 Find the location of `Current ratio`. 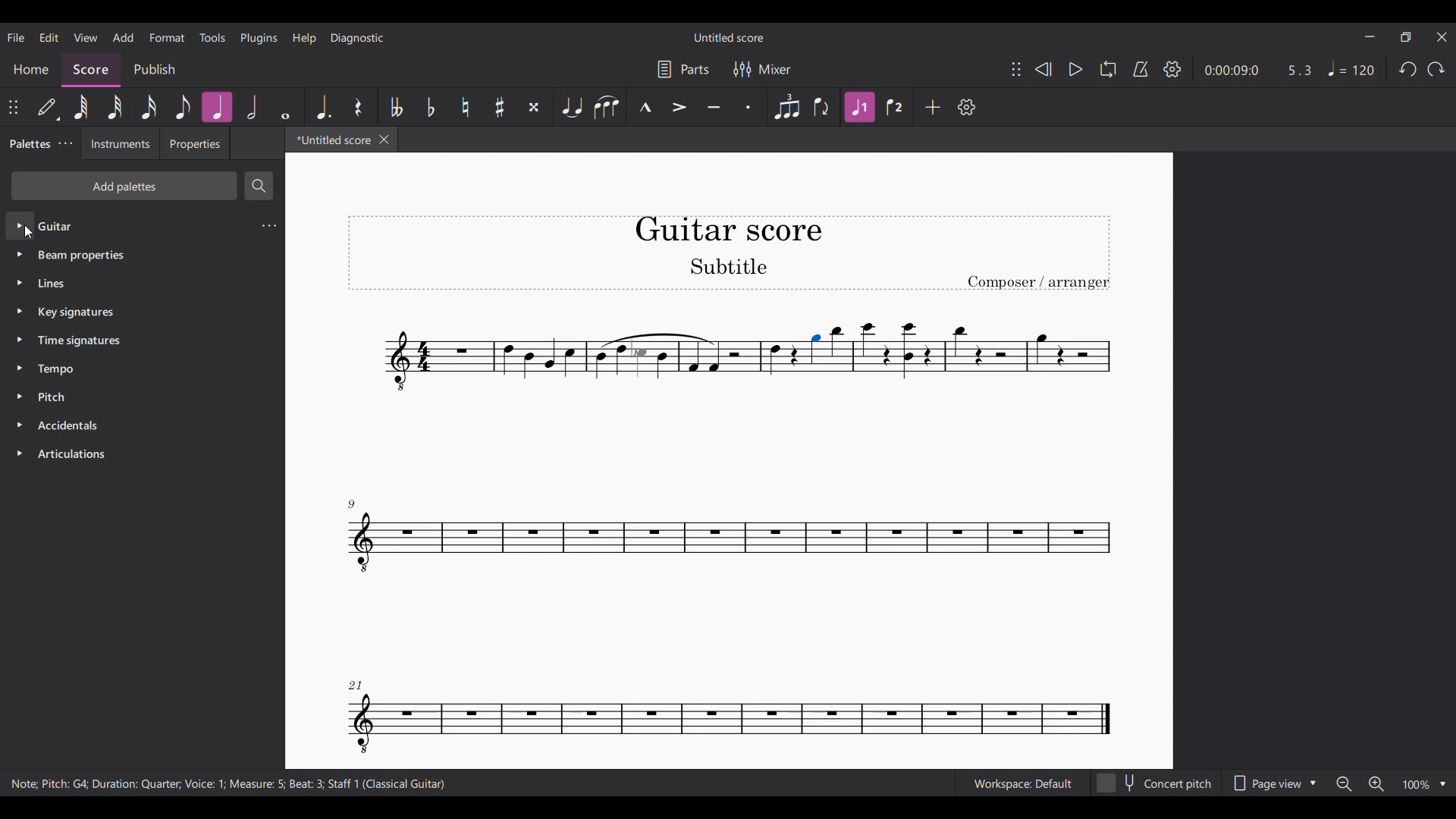

Current ratio is located at coordinates (1300, 71).